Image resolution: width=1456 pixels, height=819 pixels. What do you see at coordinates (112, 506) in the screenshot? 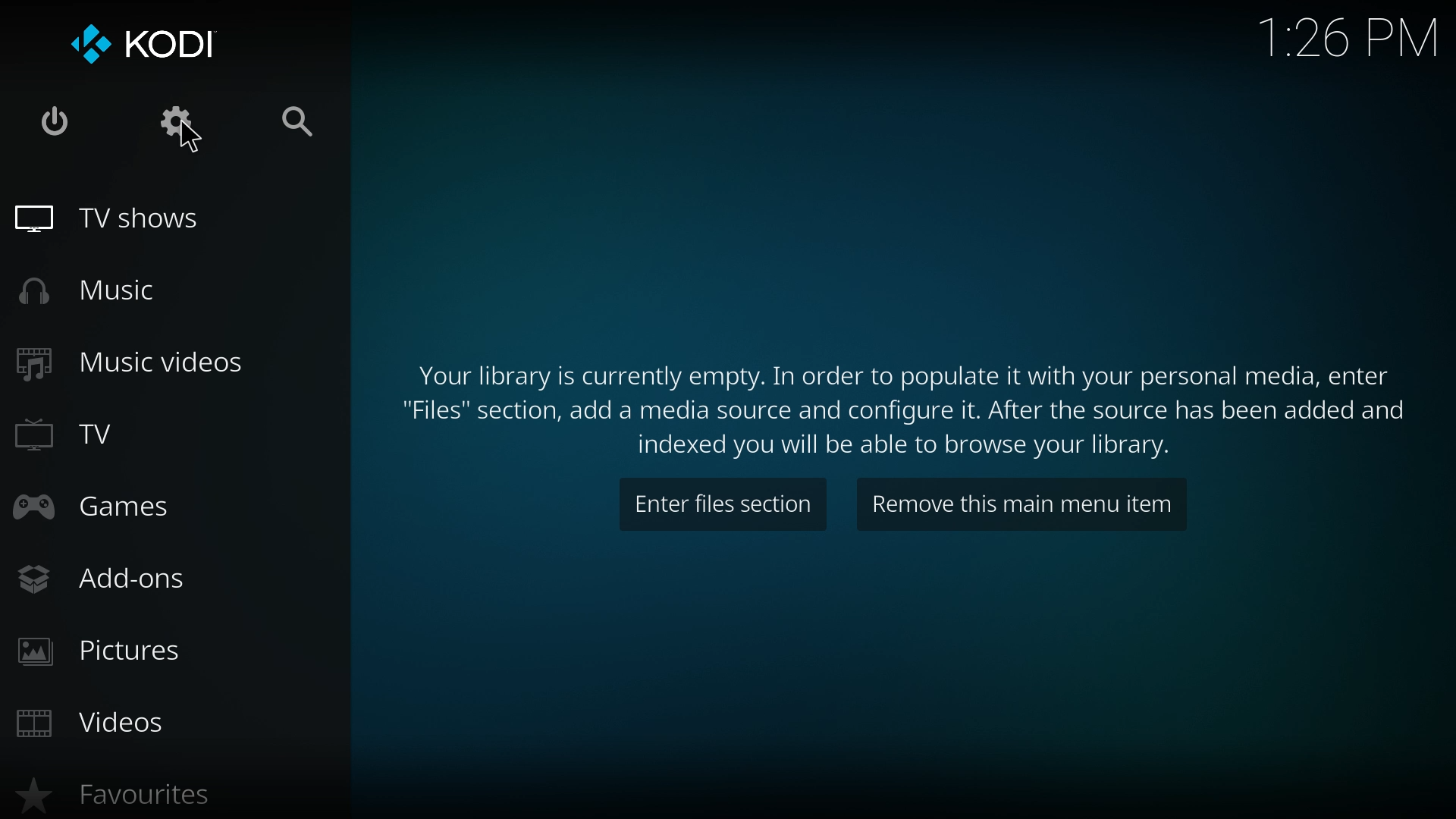
I see `games` at bounding box center [112, 506].